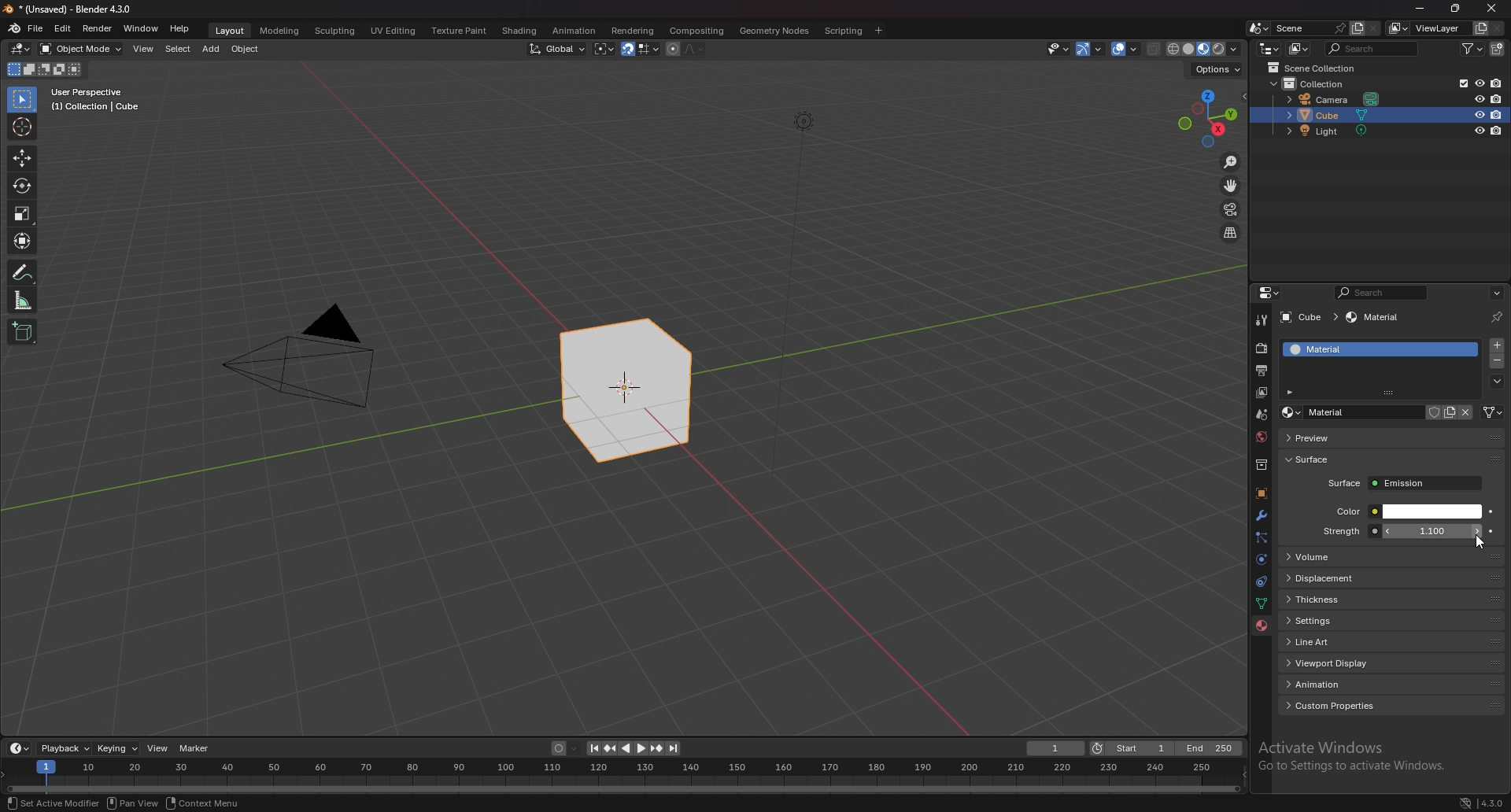 Image resolution: width=1511 pixels, height=812 pixels. Describe the element at coordinates (42, 72) in the screenshot. I see `mode` at that location.